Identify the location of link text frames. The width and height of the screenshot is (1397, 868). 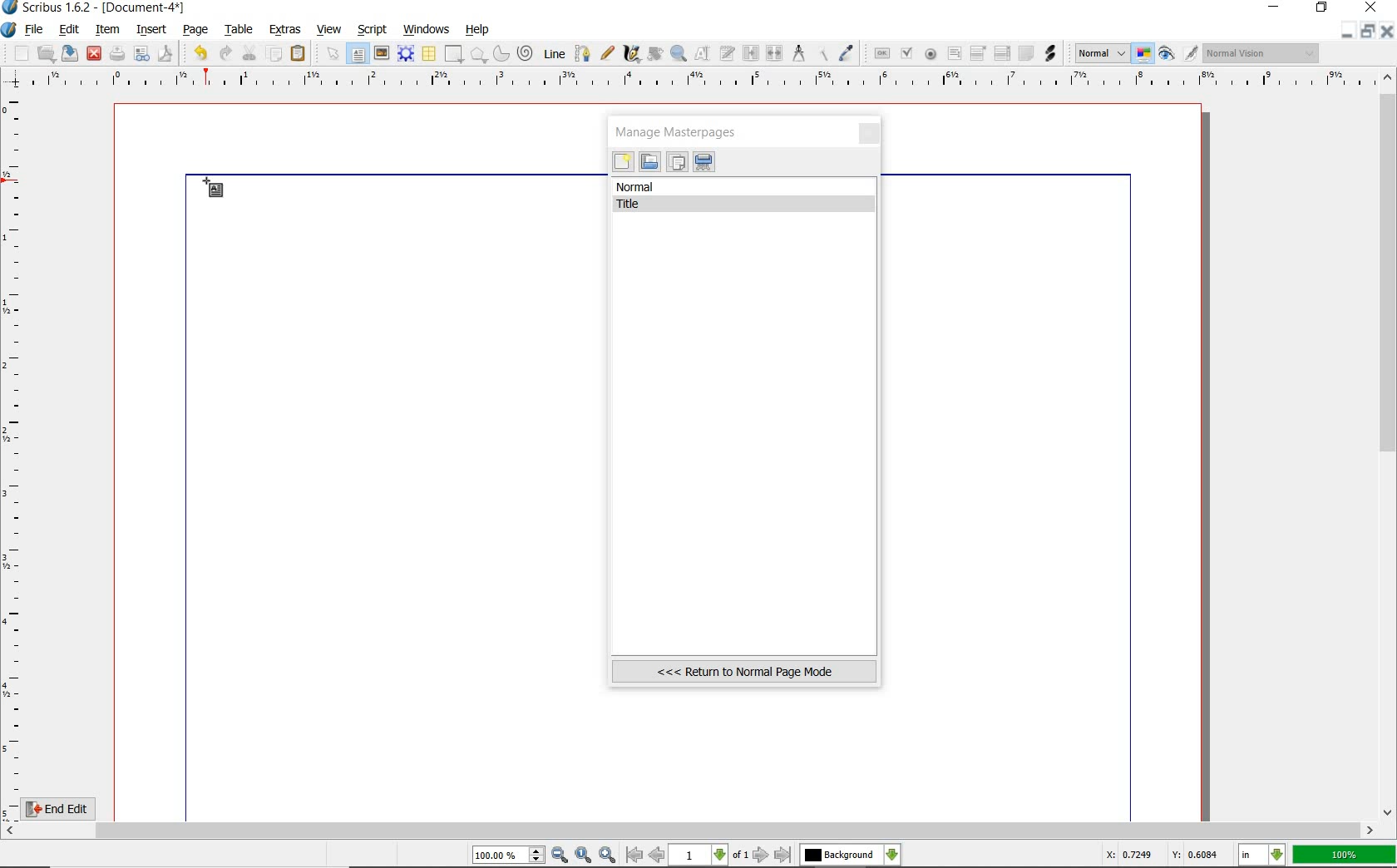
(749, 52).